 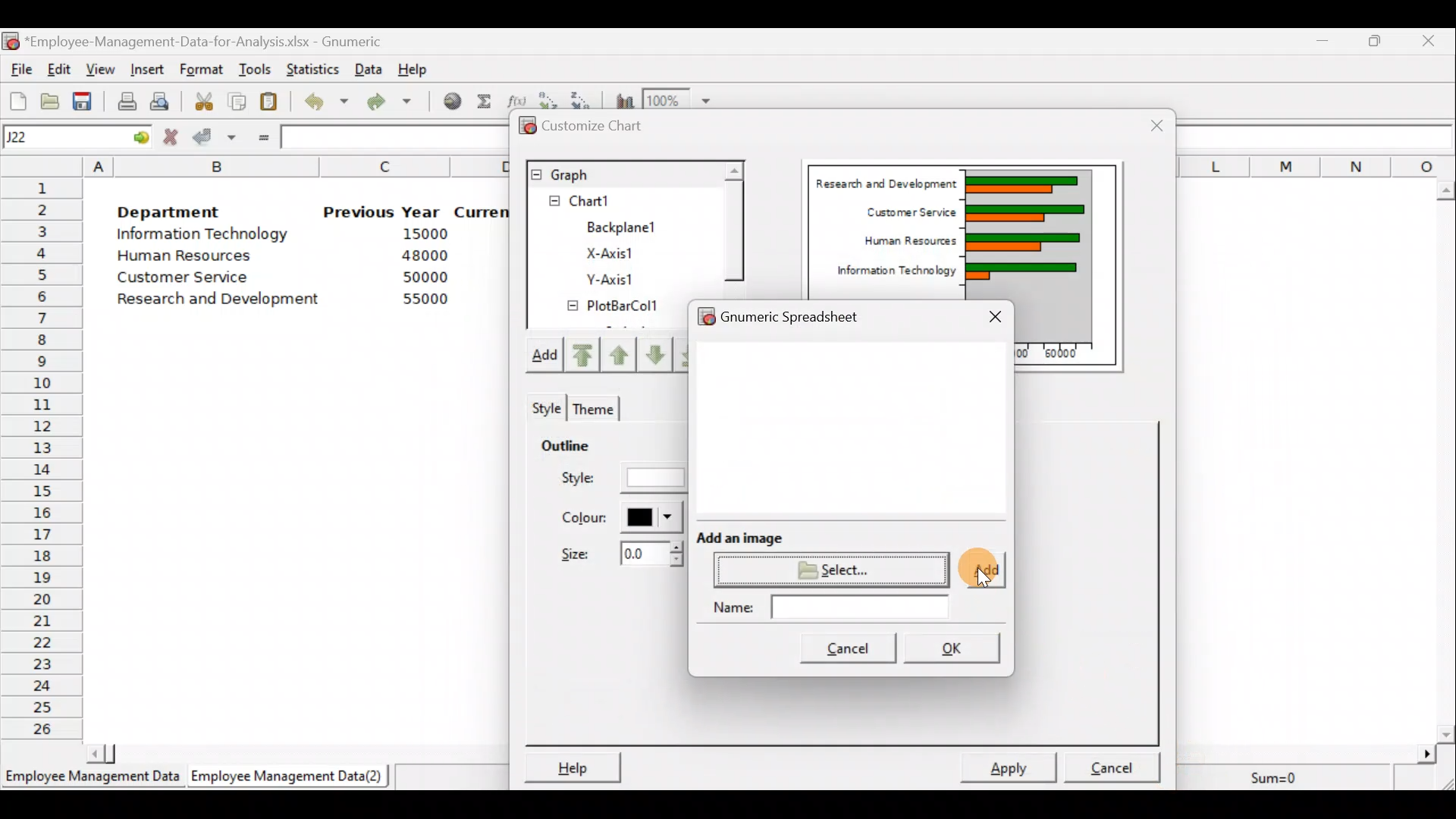 I want to click on Human Resources, so click(x=899, y=242).